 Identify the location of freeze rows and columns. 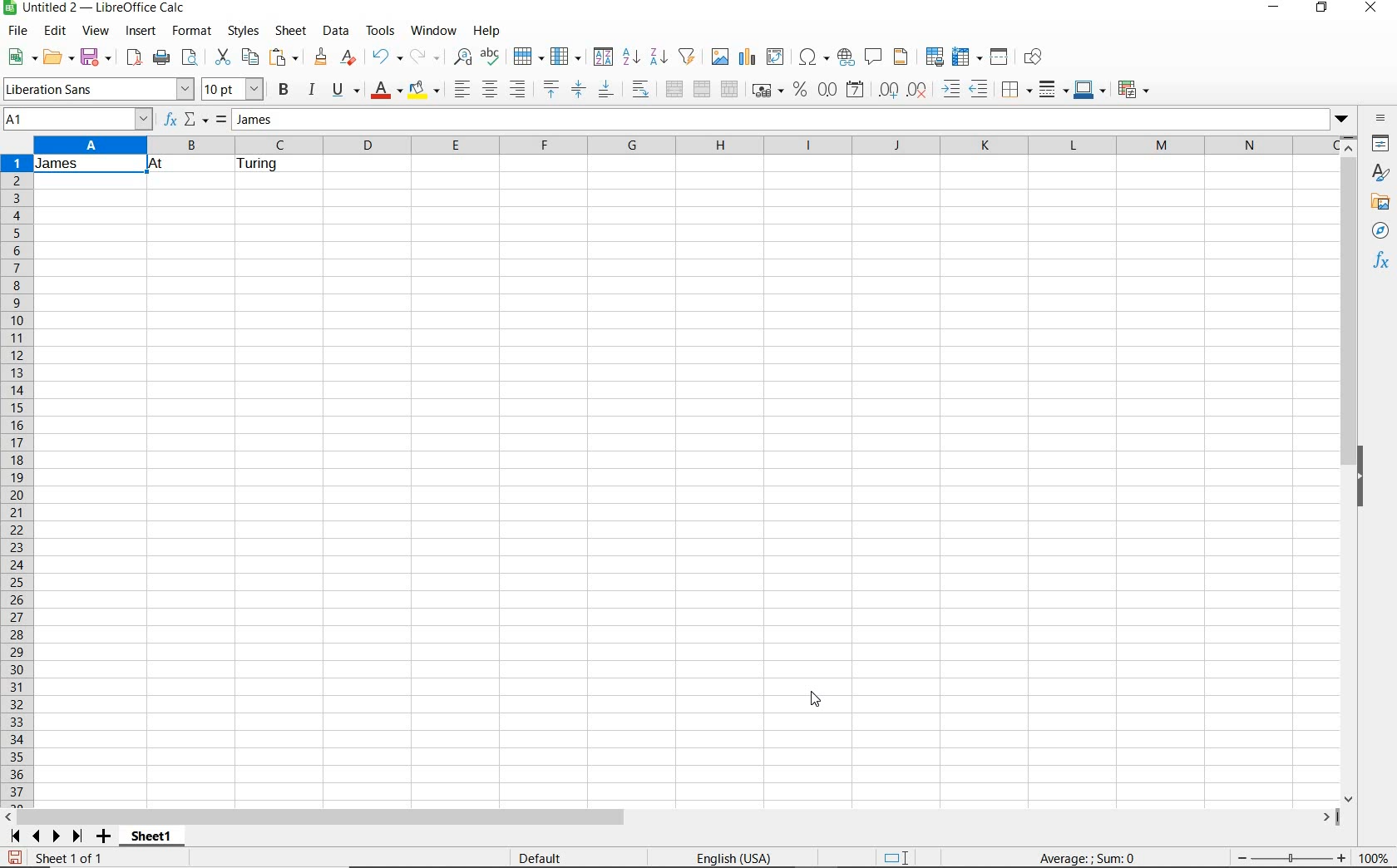
(967, 57).